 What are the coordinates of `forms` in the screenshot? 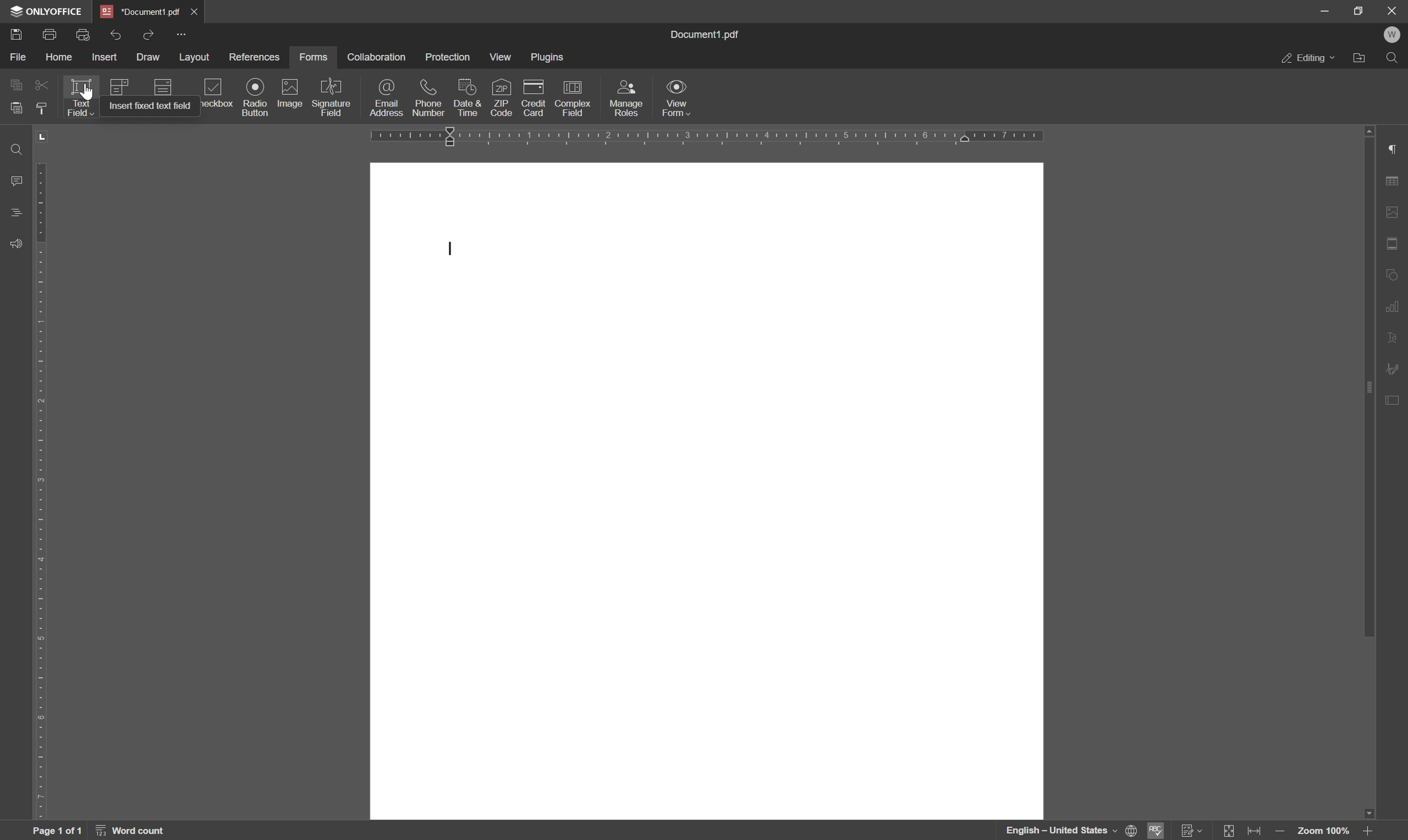 It's located at (318, 55).